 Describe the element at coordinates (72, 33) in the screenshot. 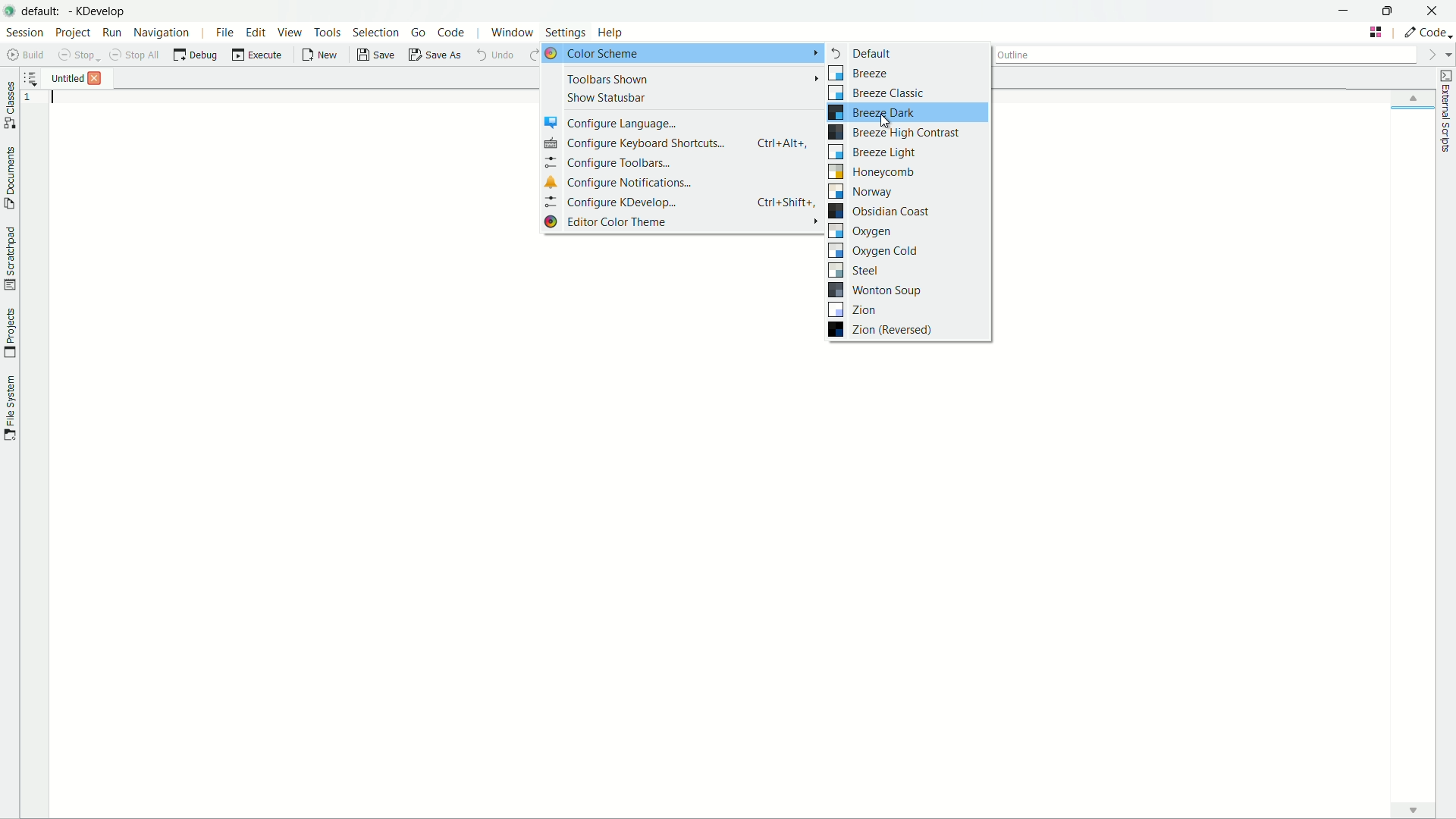

I see `project` at that location.